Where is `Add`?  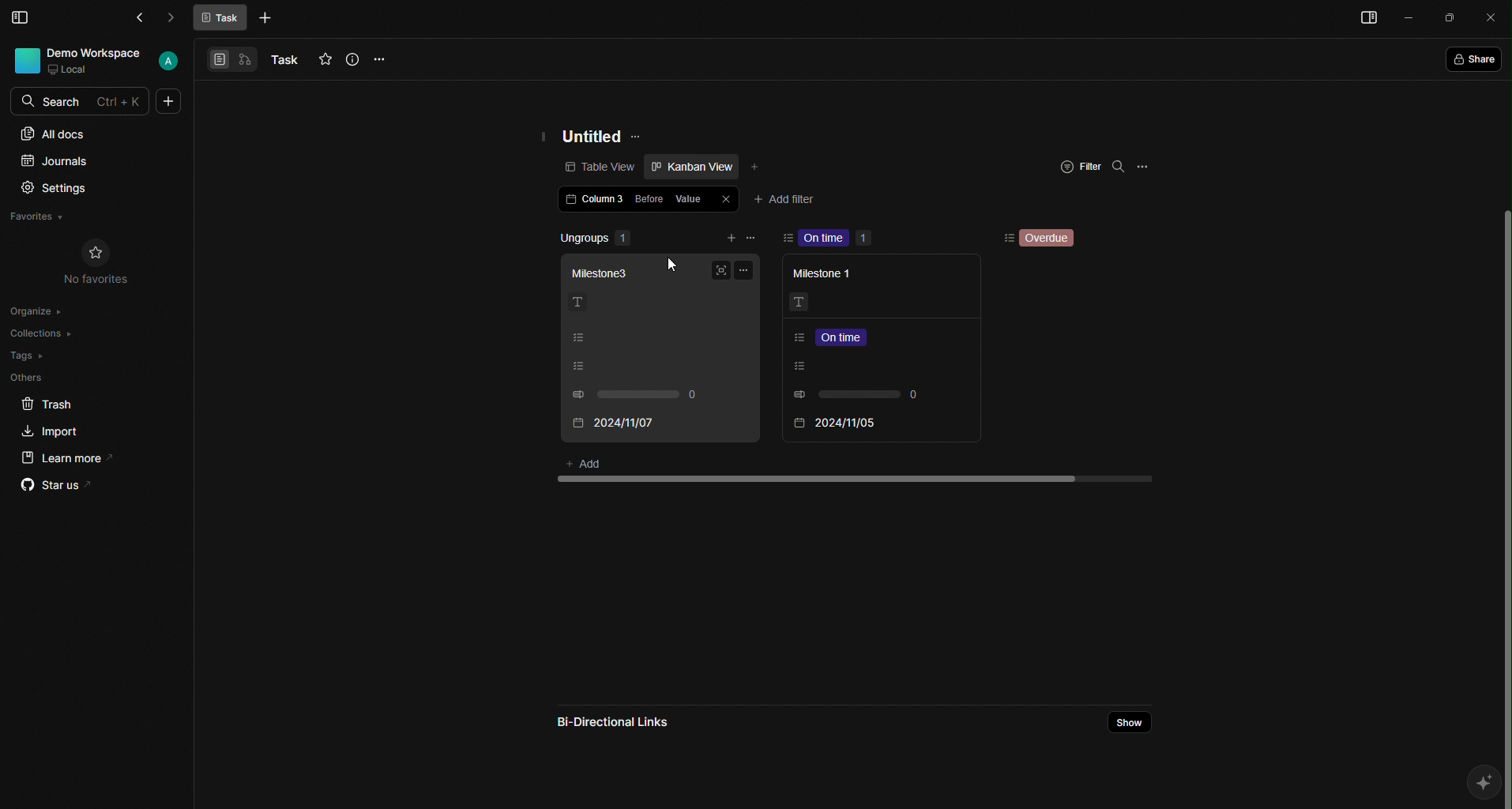
Add is located at coordinates (758, 165).